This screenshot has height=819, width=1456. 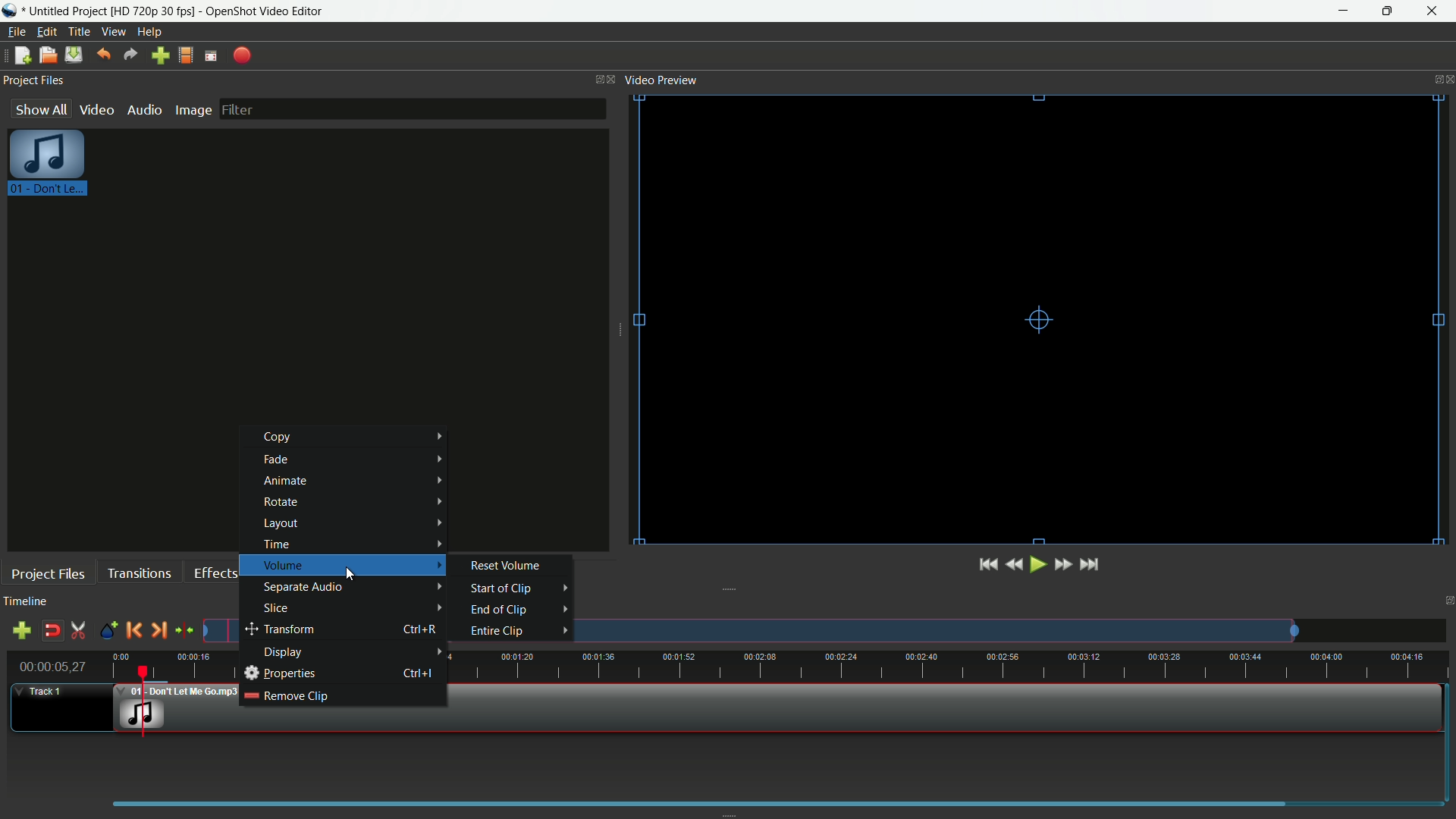 I want to click on full screen, so click(x=212, y=55).